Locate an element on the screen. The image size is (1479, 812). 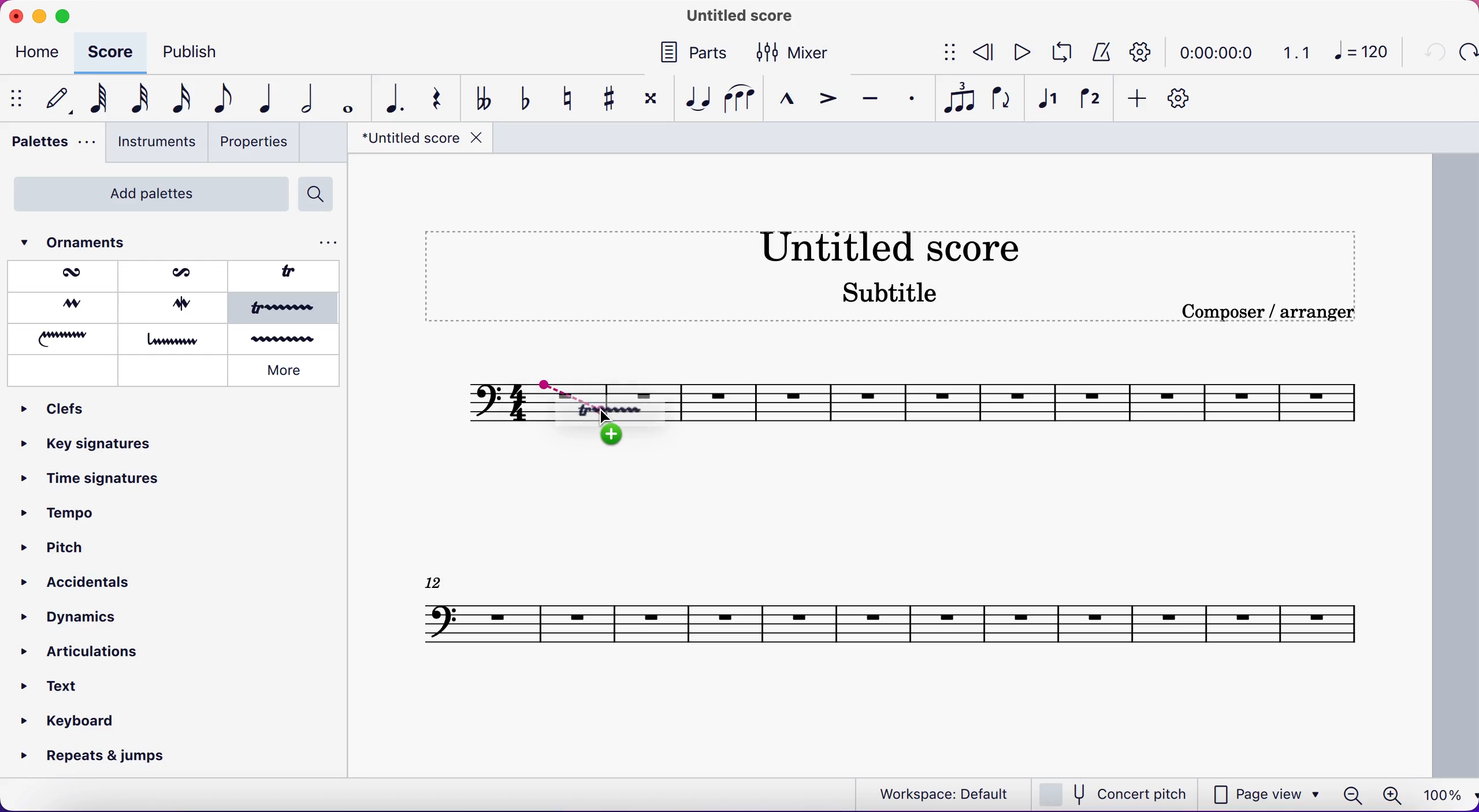
tie is located at coordinates (697, 98).